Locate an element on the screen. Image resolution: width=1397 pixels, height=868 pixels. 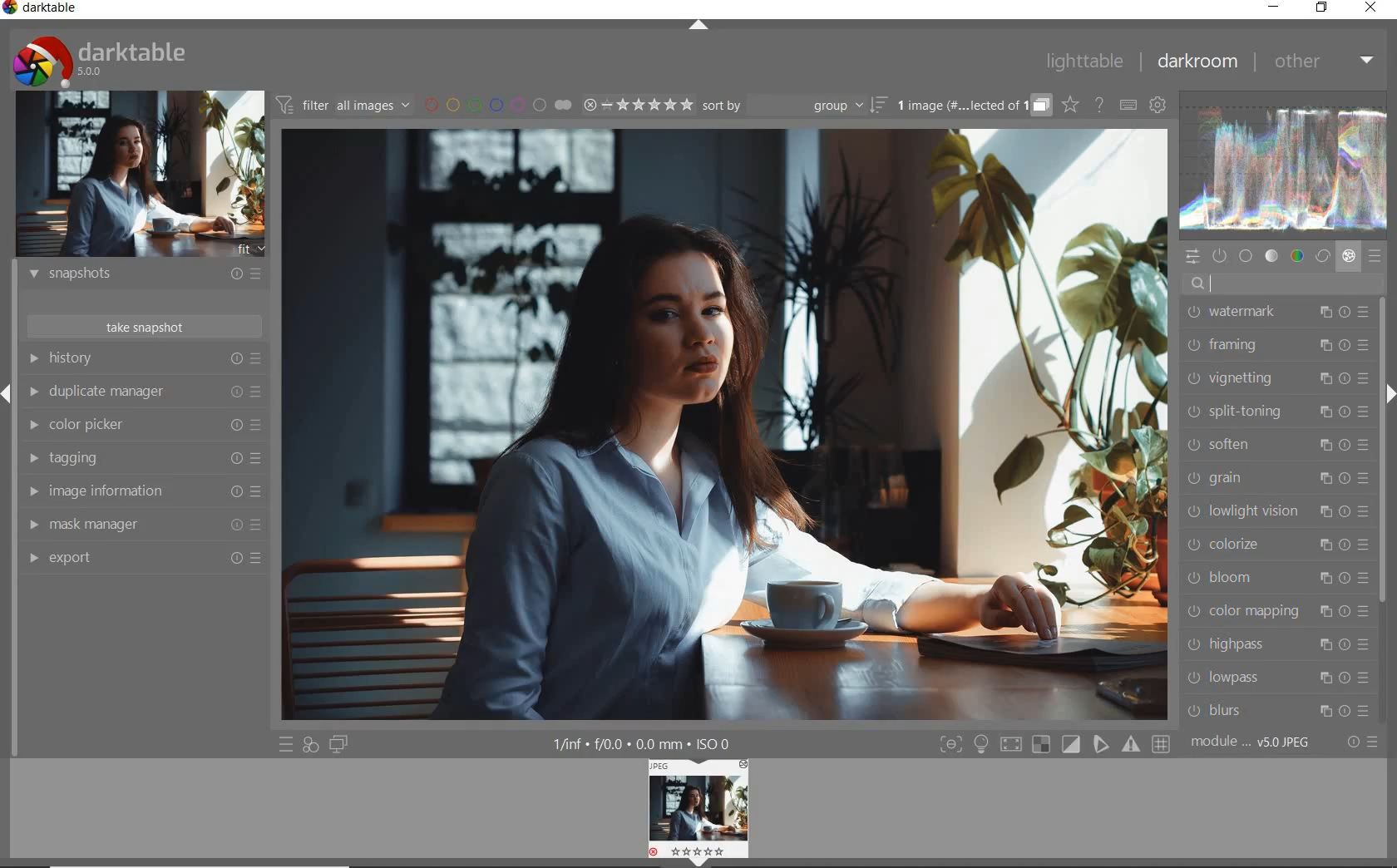
close is located at coordinates (1370, 7).